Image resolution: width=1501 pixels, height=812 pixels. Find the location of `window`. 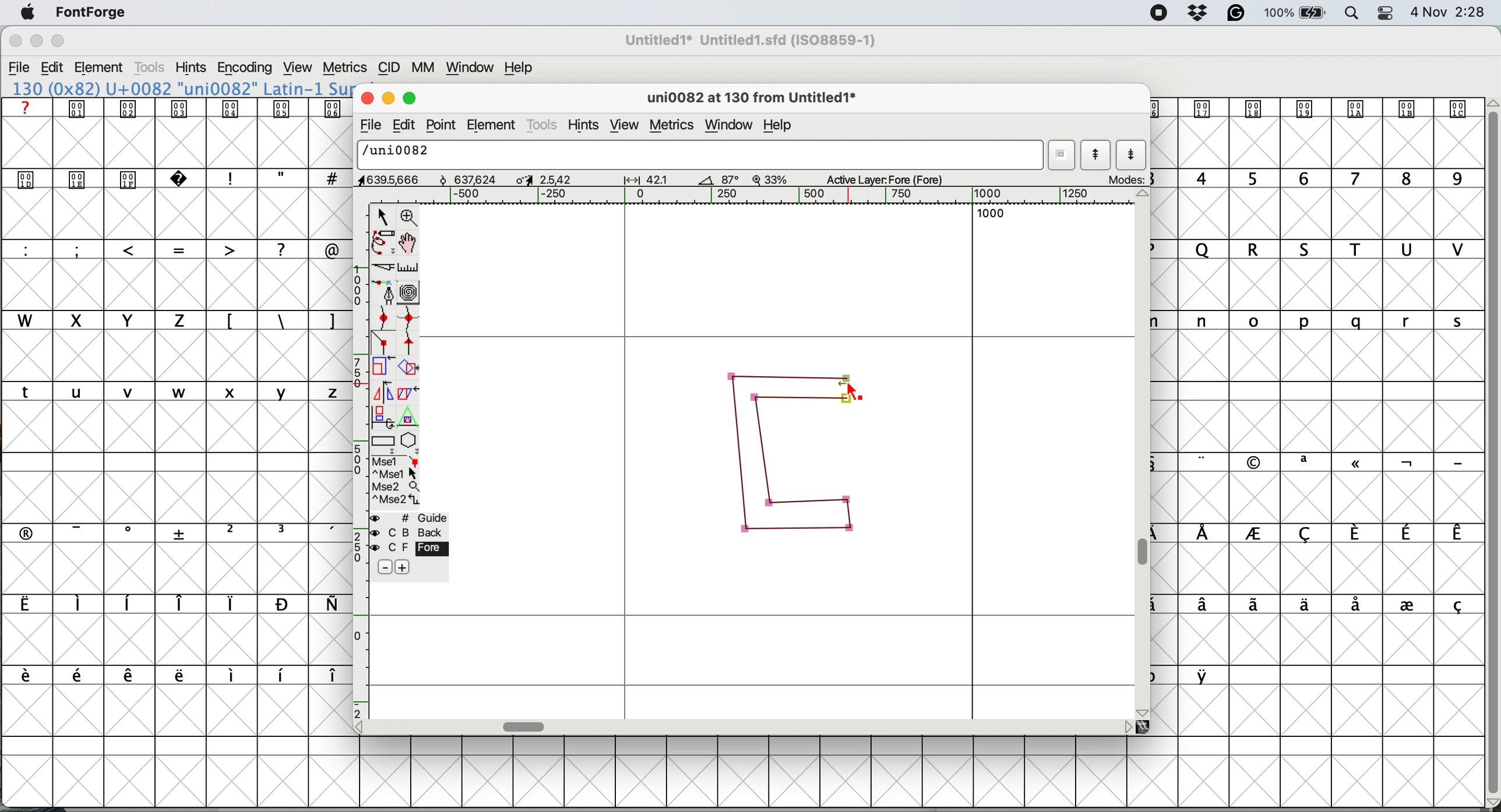

window is located at coordinates (472, 68).